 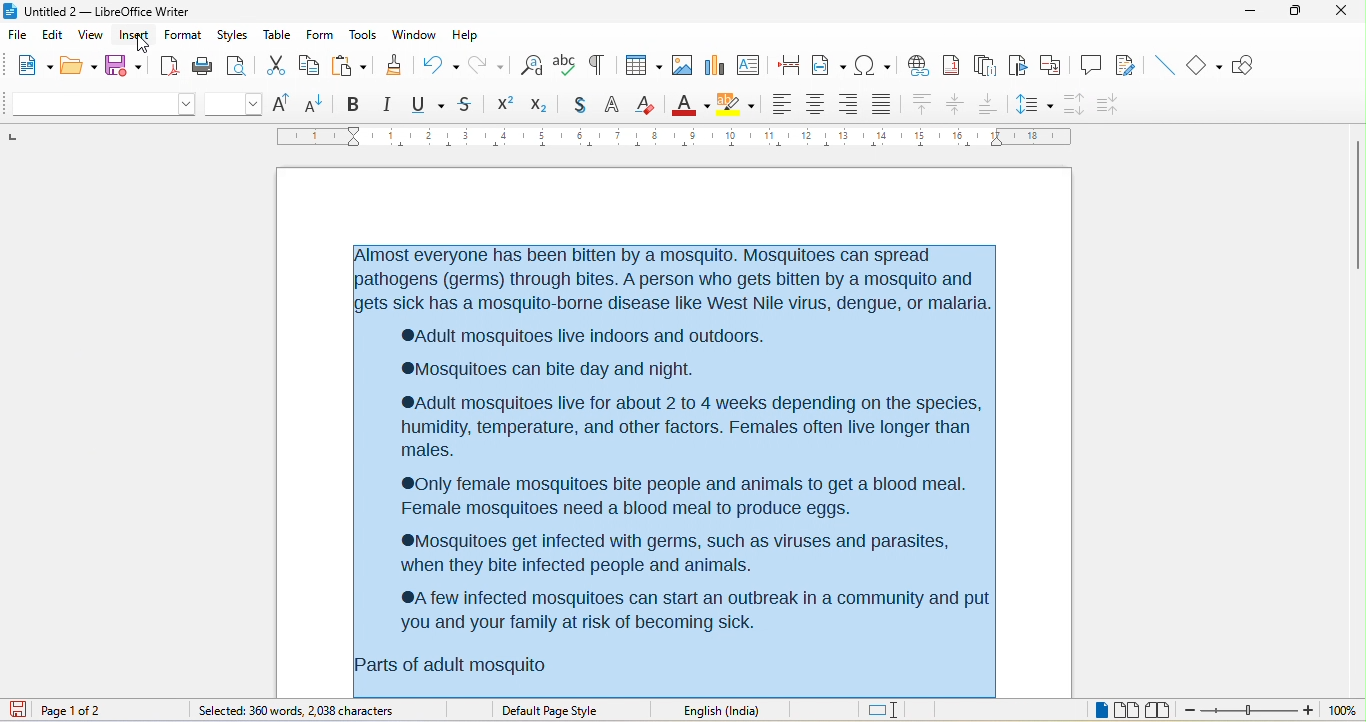 I want to click on window, so click(x=414, y=34).